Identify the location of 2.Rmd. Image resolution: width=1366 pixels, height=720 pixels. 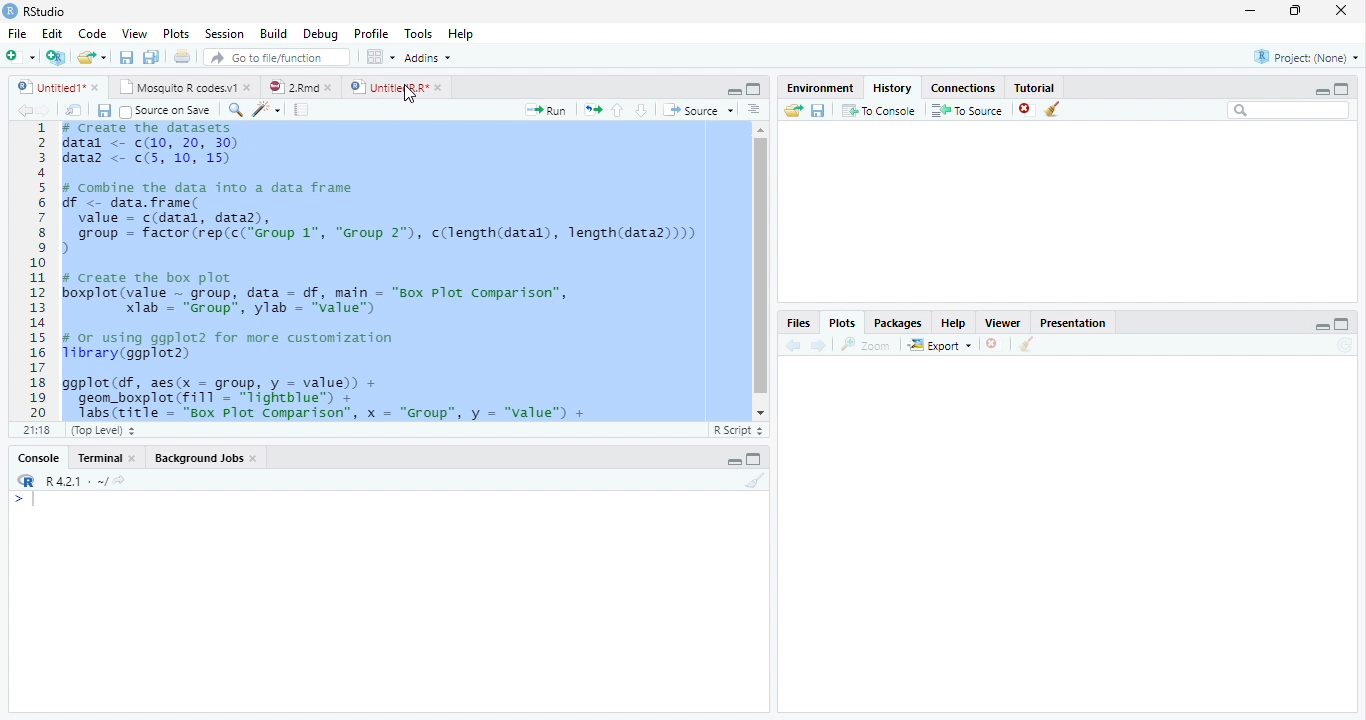
(292, 87).